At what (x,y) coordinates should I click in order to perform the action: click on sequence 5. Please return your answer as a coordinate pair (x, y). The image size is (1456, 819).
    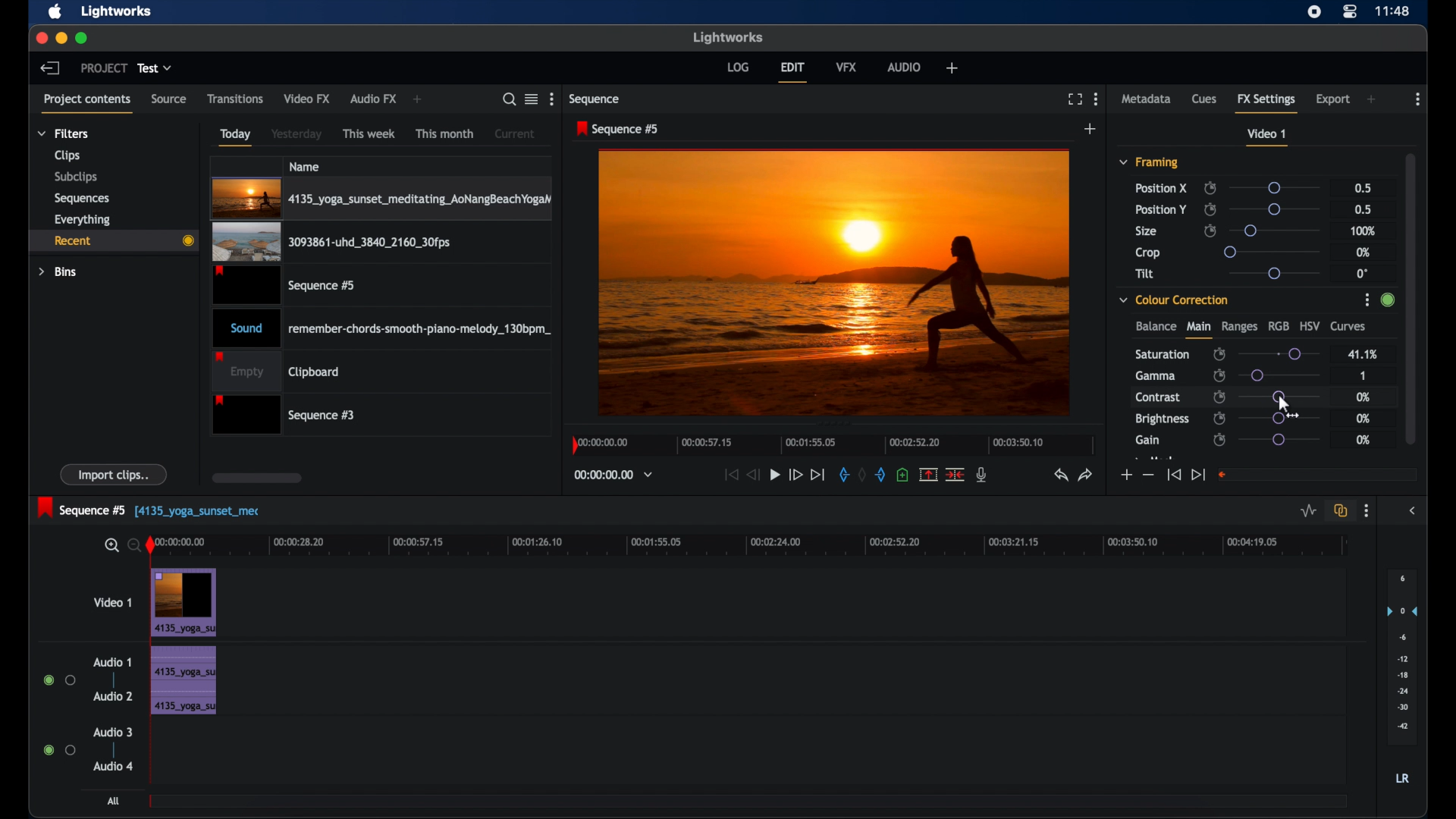
    Looking at the image, I should click on (618, 130).